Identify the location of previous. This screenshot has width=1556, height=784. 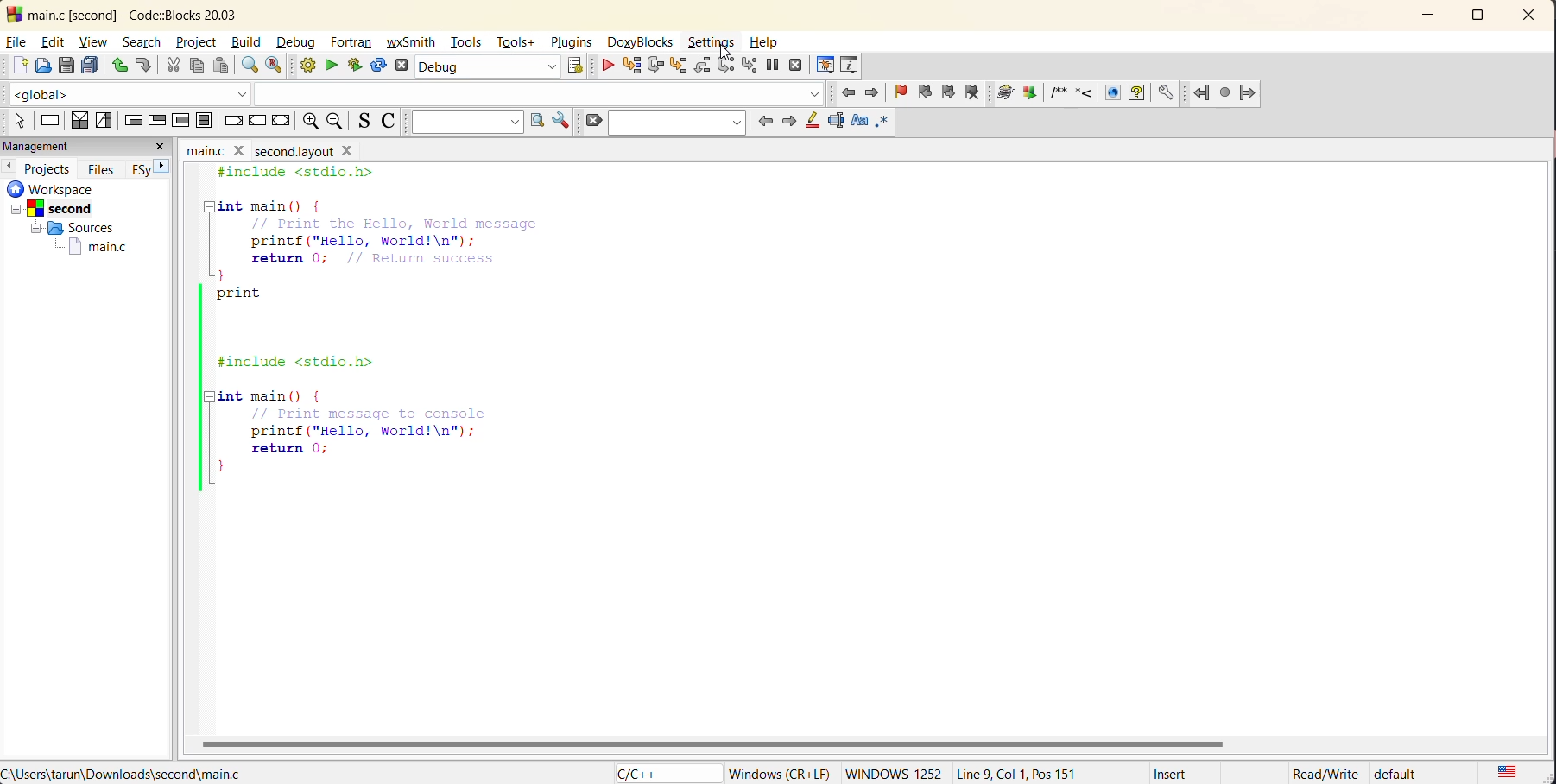
(10, 166).